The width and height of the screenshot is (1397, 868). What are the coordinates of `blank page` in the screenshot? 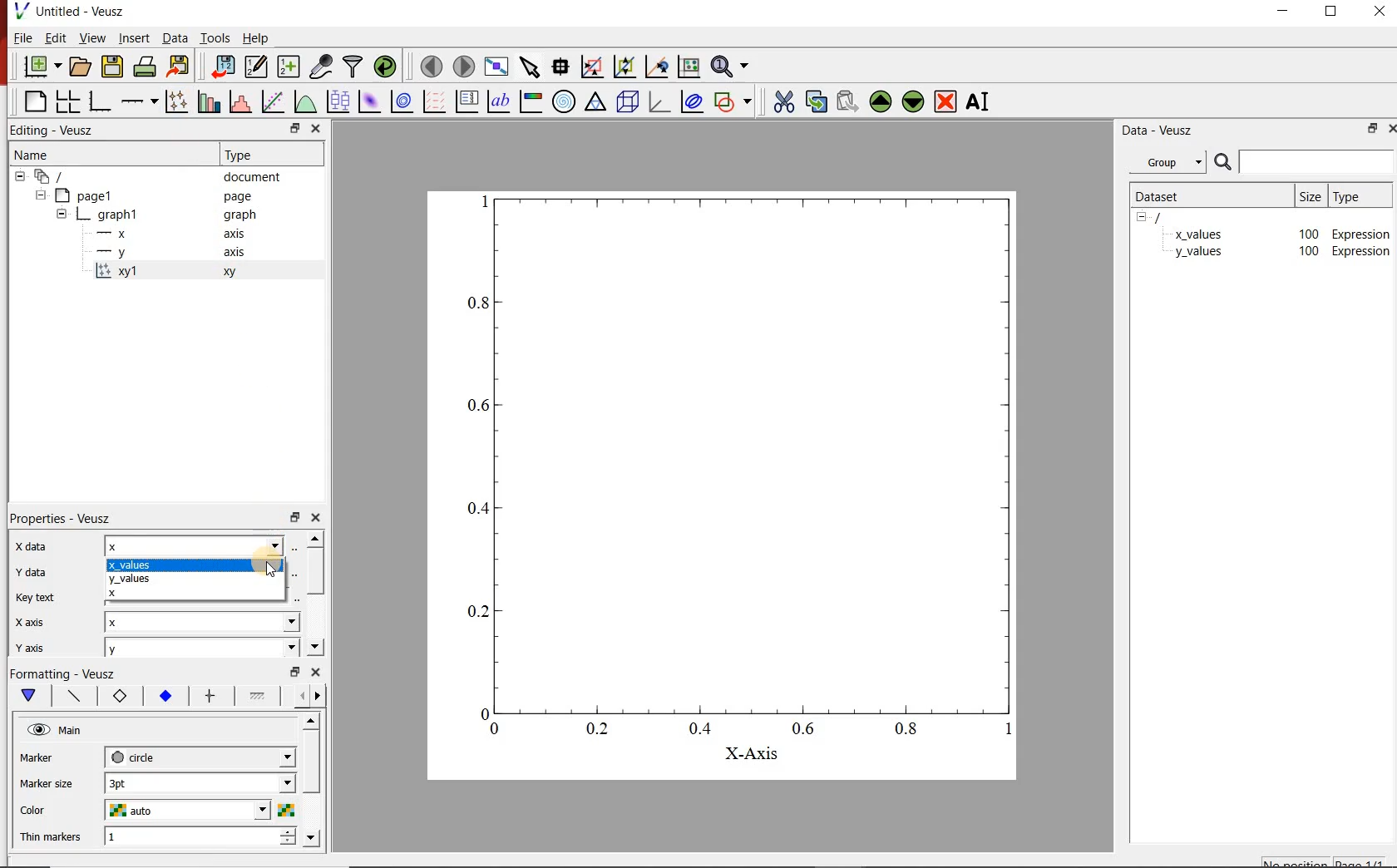 It's located at (35, 101).